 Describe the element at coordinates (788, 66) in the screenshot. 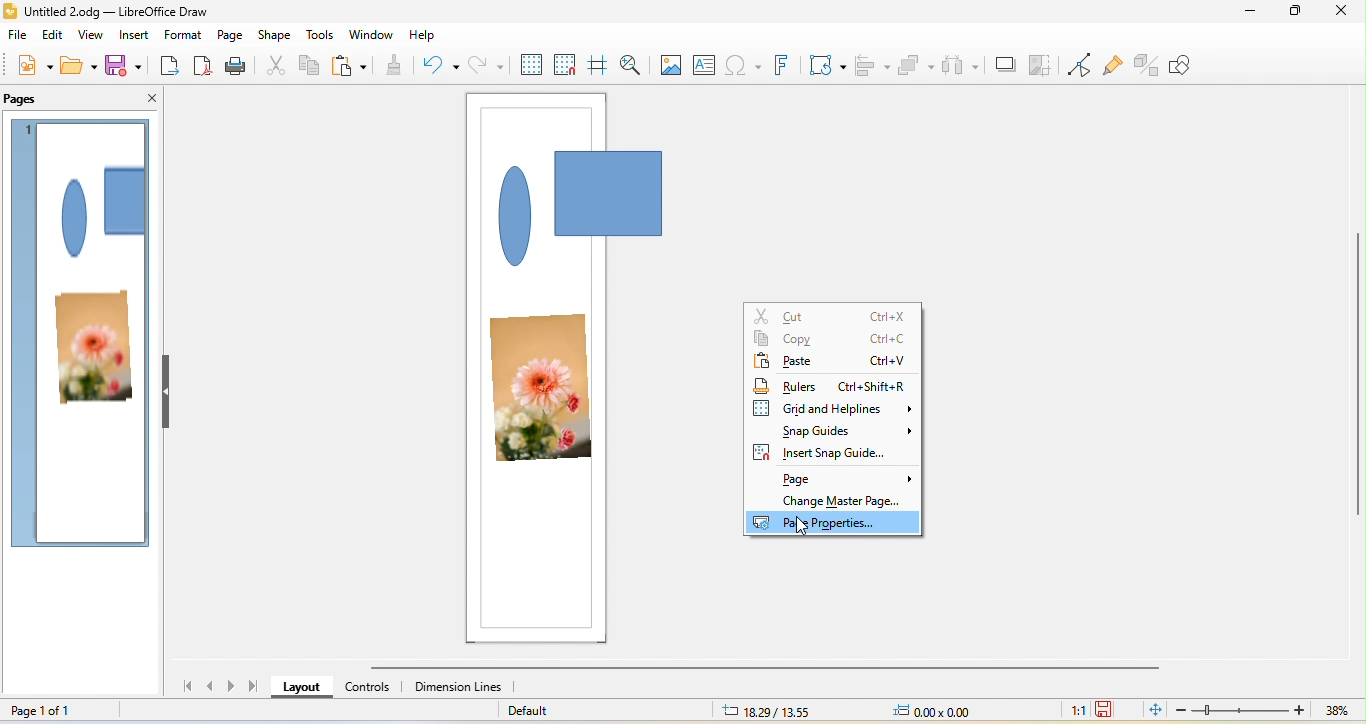

I see `fontwork text` at that location.